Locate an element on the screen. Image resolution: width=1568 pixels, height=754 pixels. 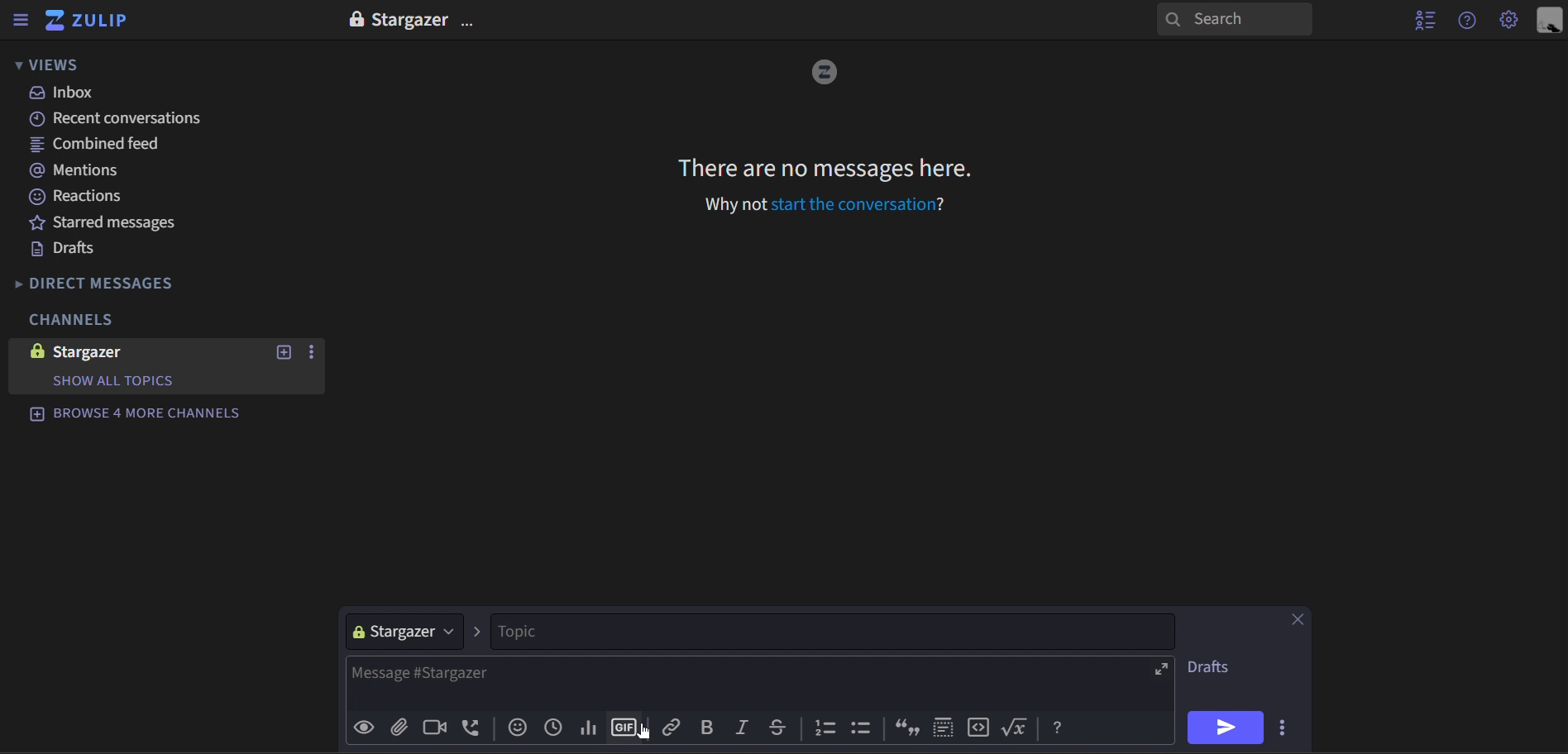
There are no messages here is located at coordinates (829, 171).